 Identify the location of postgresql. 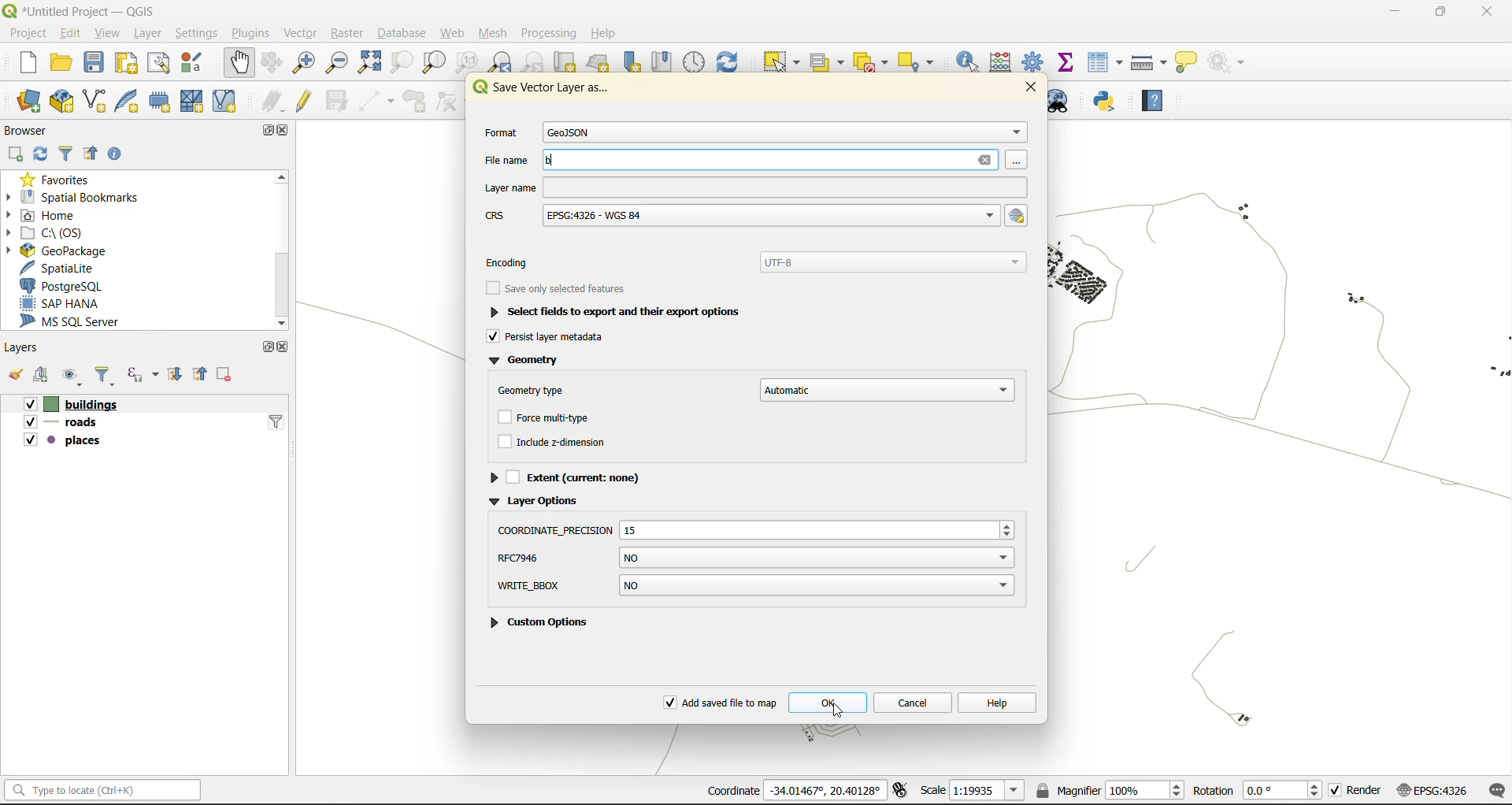
(66, 284).